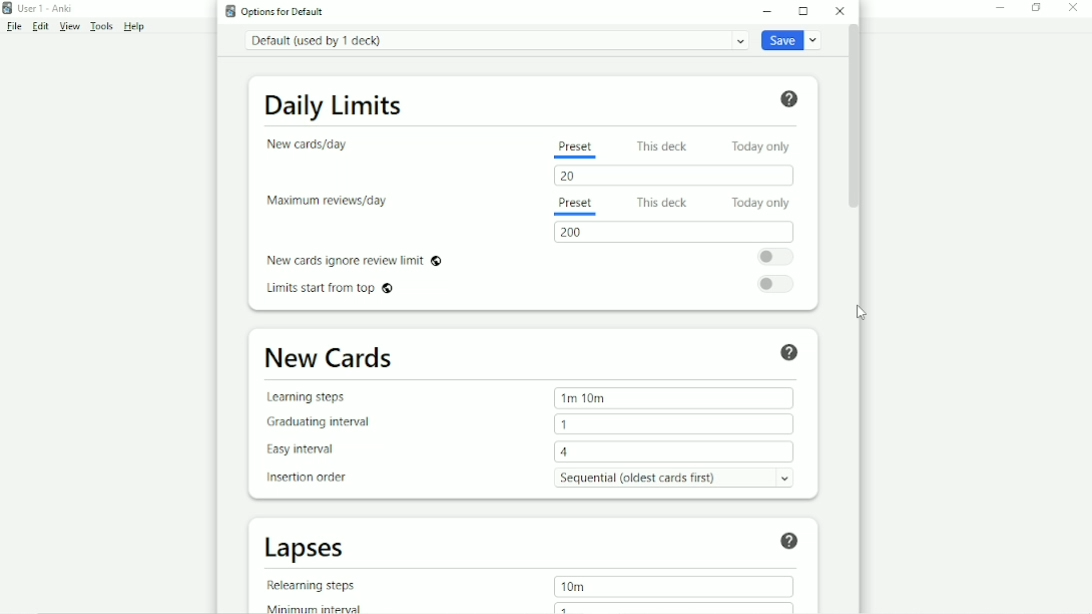 This screenshot has height=614, width=1092. I want to click on New cards/day, so click(315, 144).